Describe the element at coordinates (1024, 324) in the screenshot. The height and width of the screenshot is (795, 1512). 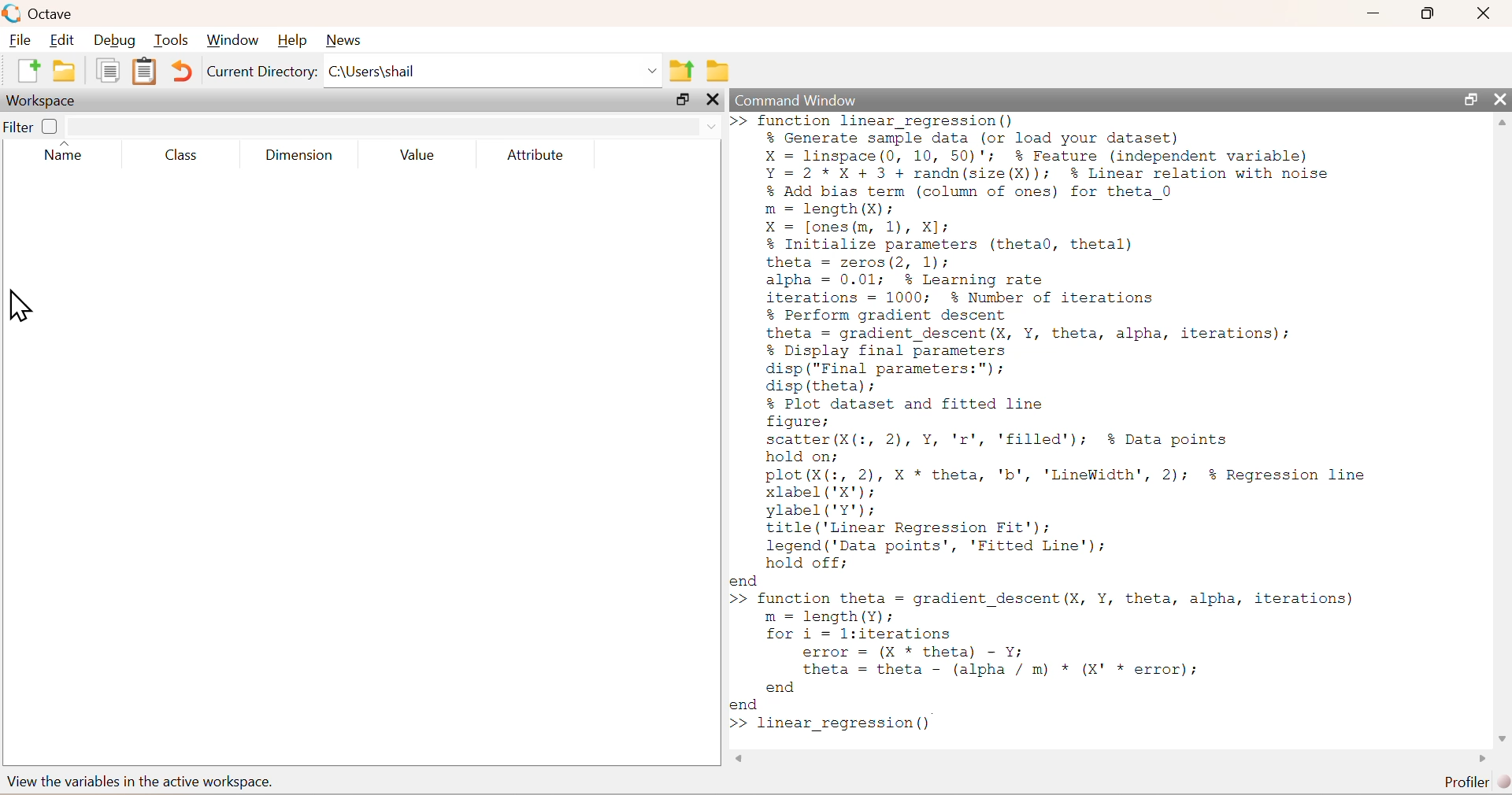
I see `theta = zeros(2, 1);alpha = 0.01; % Learning rateiterations = 1000; % Number of iterations% Perform gradient descenttheta = gradient_descent(X, Y, theta, alpha, iterations);% Display final parametersdisp ("Final parameters:");disp (theta);` at that location.